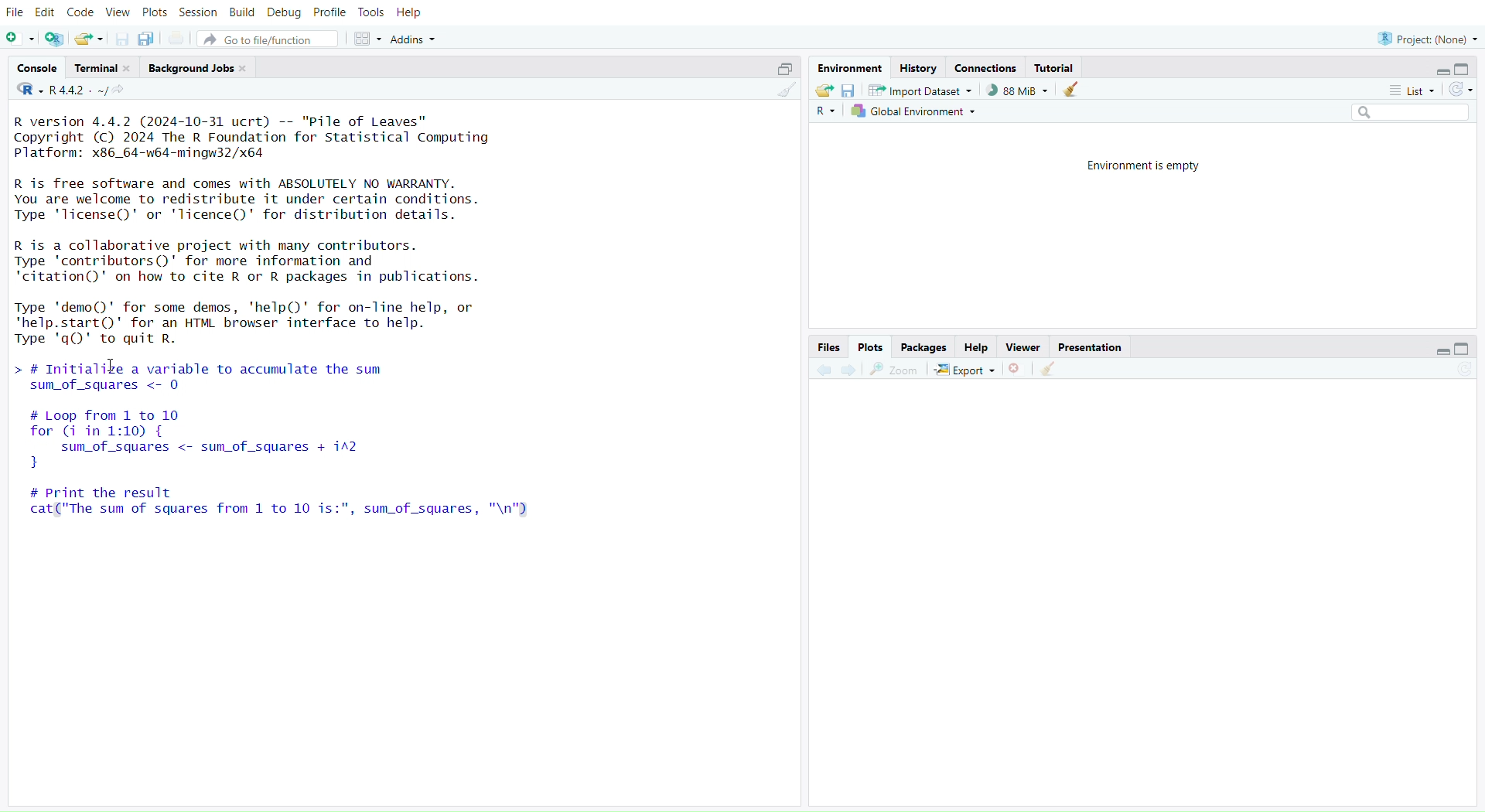 This screenshot has height=812, width=1485. Describe the element at coordinates (1135, 167) in the screenshot. I see `environment is empty` at that location.